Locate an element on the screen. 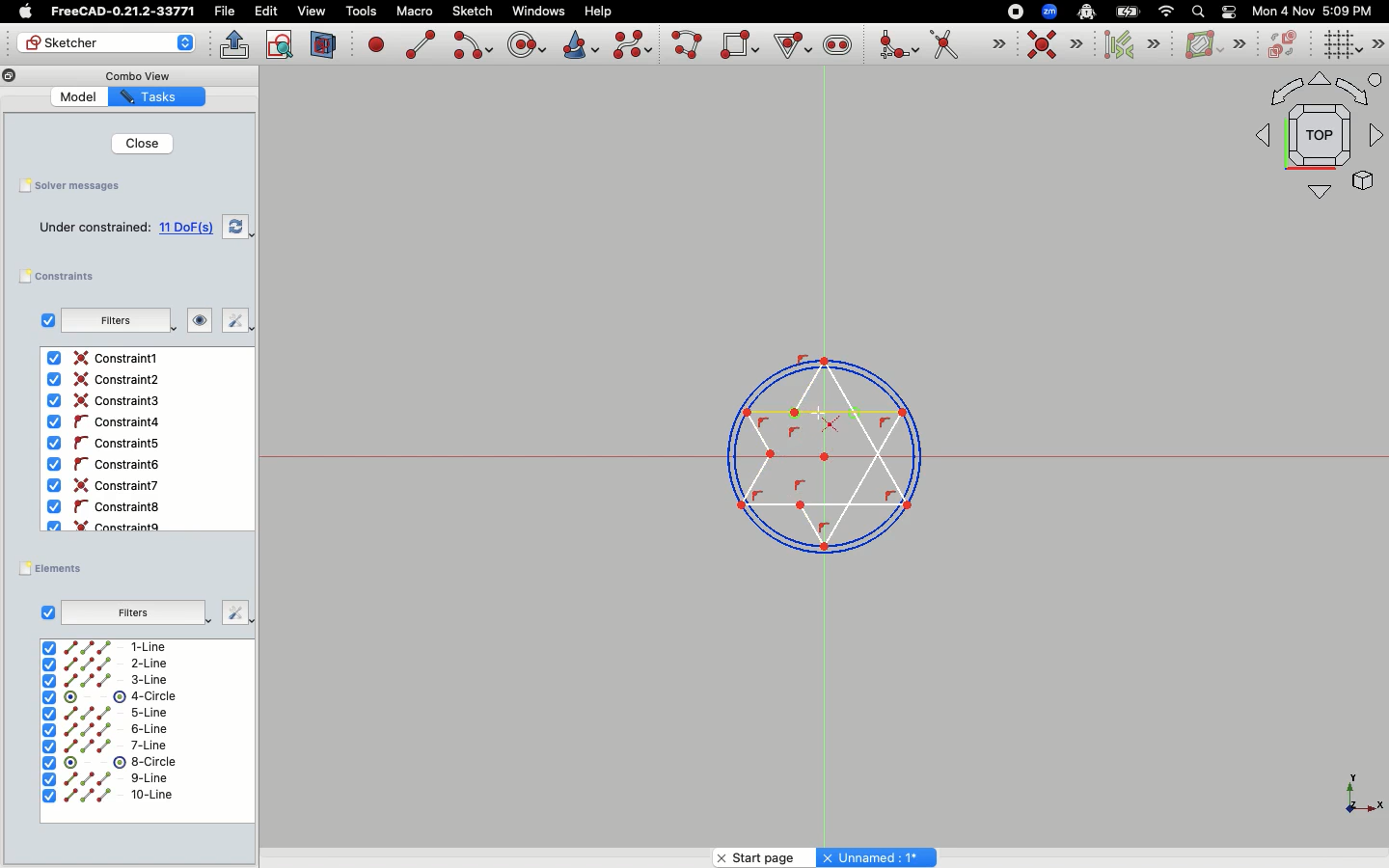  8-circle is located at coordinates (121, 762).